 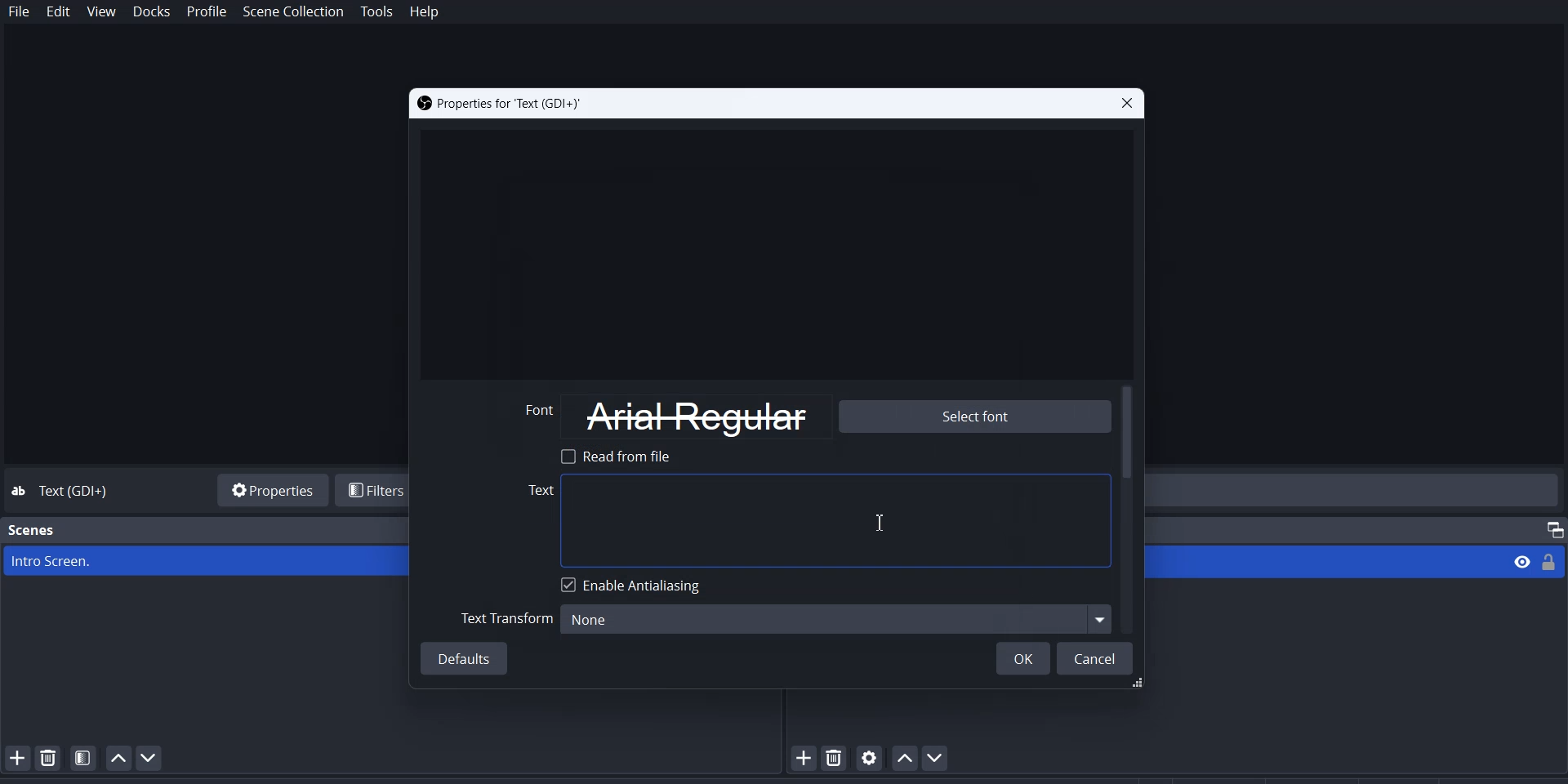 I want to click on OK, so click(x=1022, y=658).